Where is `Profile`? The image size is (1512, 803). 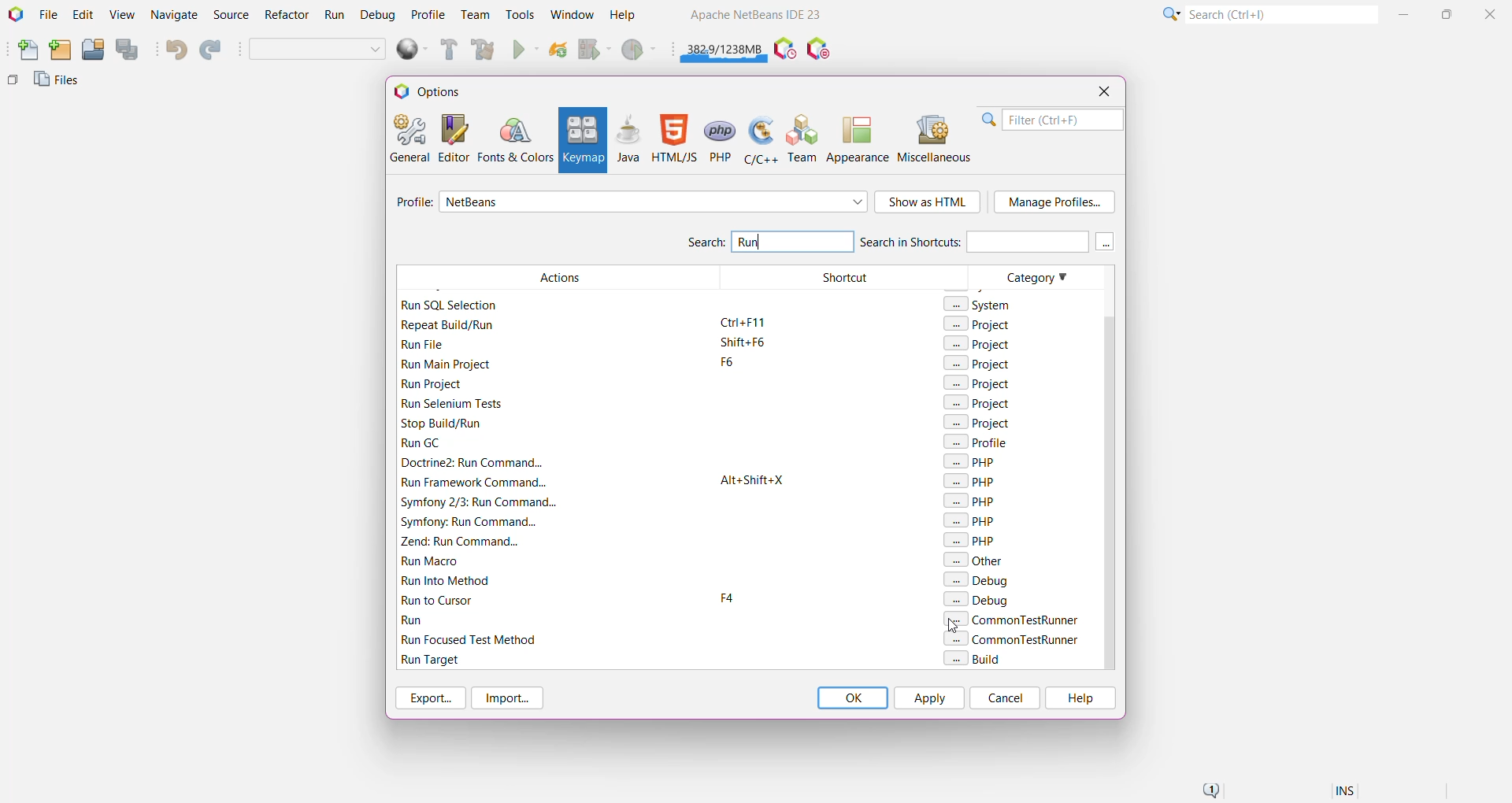
Profile is located at coordinates (428, 14).